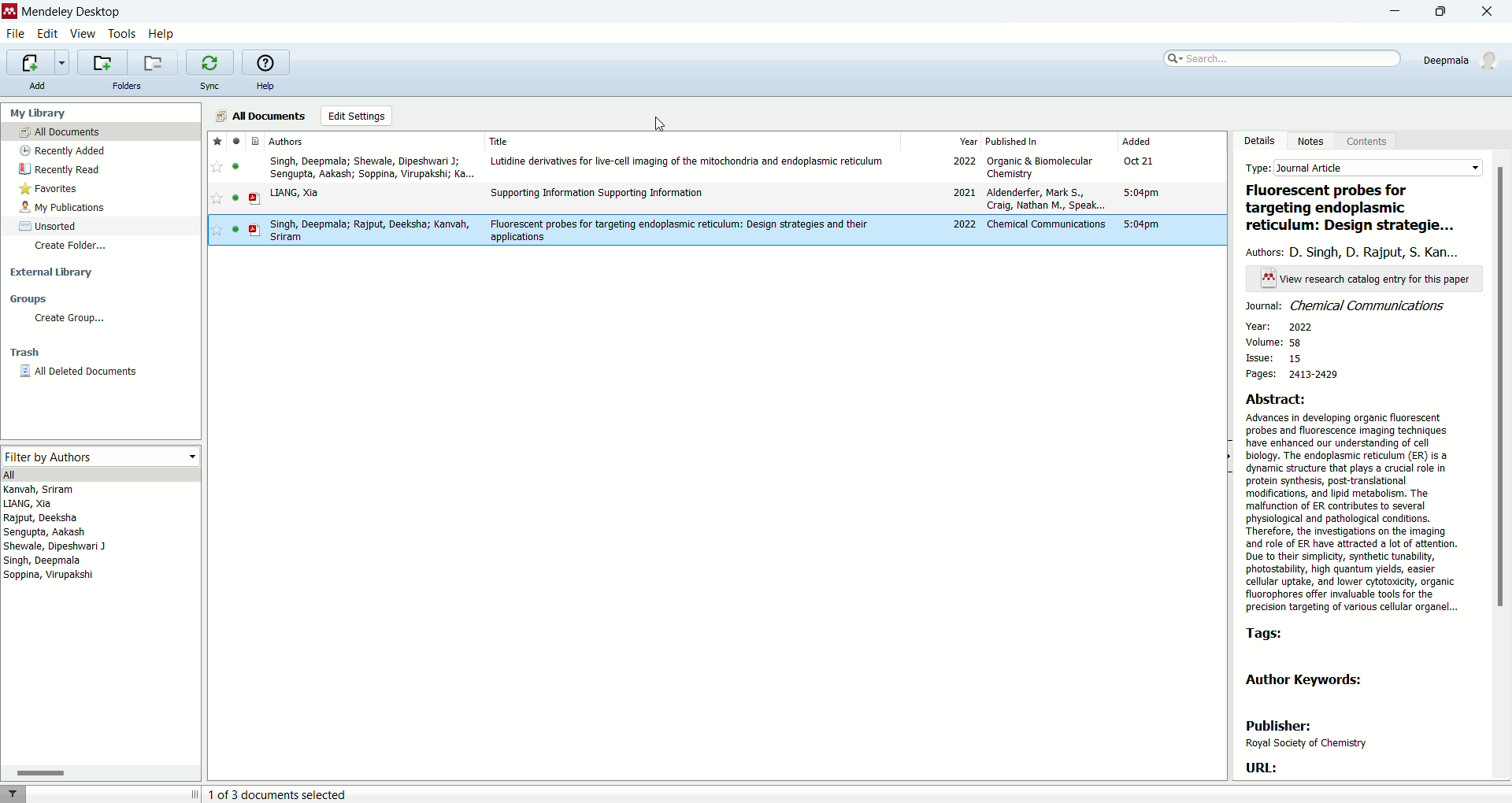 The image size is (1512, 803). What do you see at coordinates (258, 140) in the screenshot?
I see `document` at bounding box center [258, 140].